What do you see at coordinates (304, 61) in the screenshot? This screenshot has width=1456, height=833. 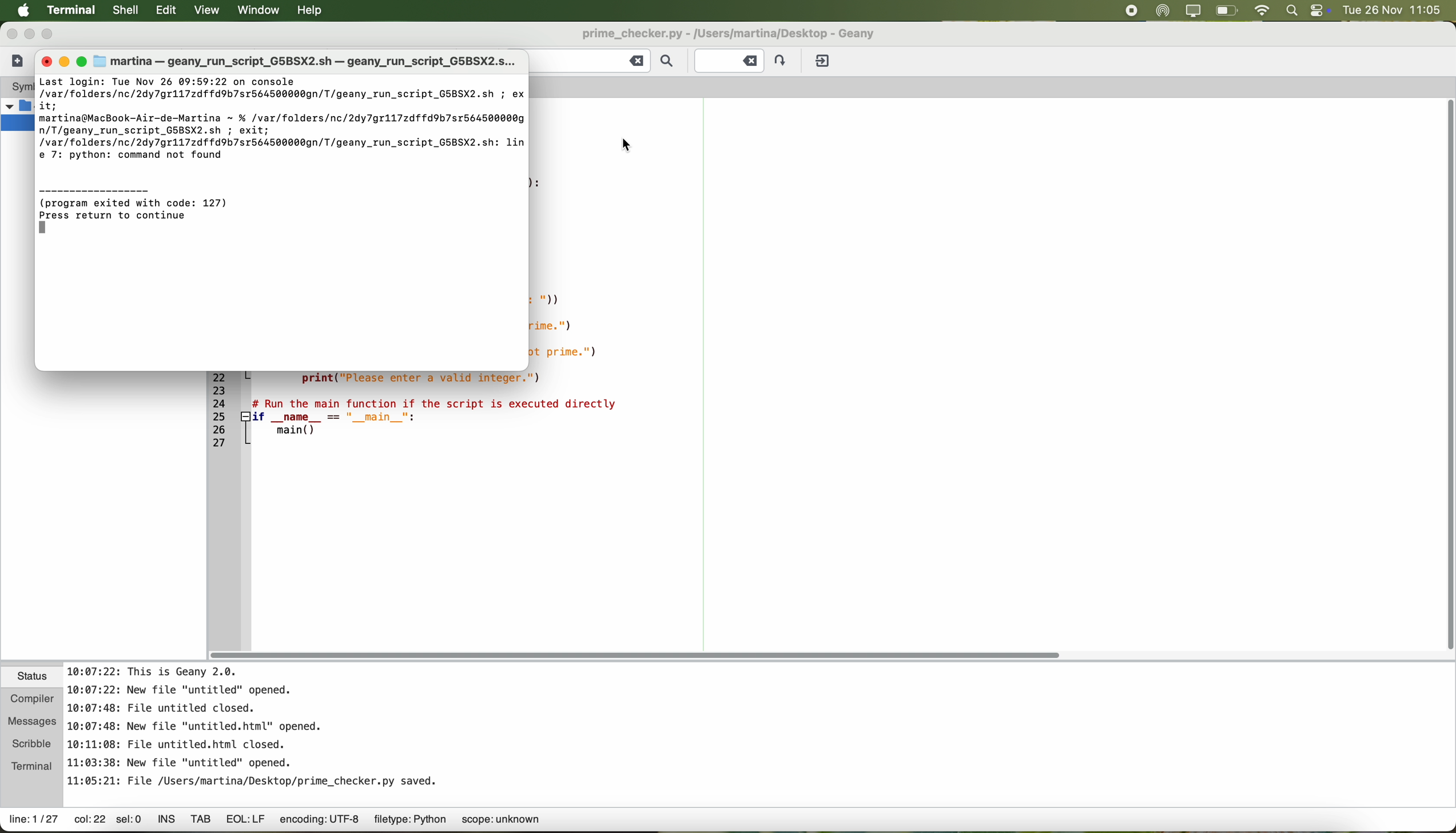 I see `run file` at bounding box center [304, 61].